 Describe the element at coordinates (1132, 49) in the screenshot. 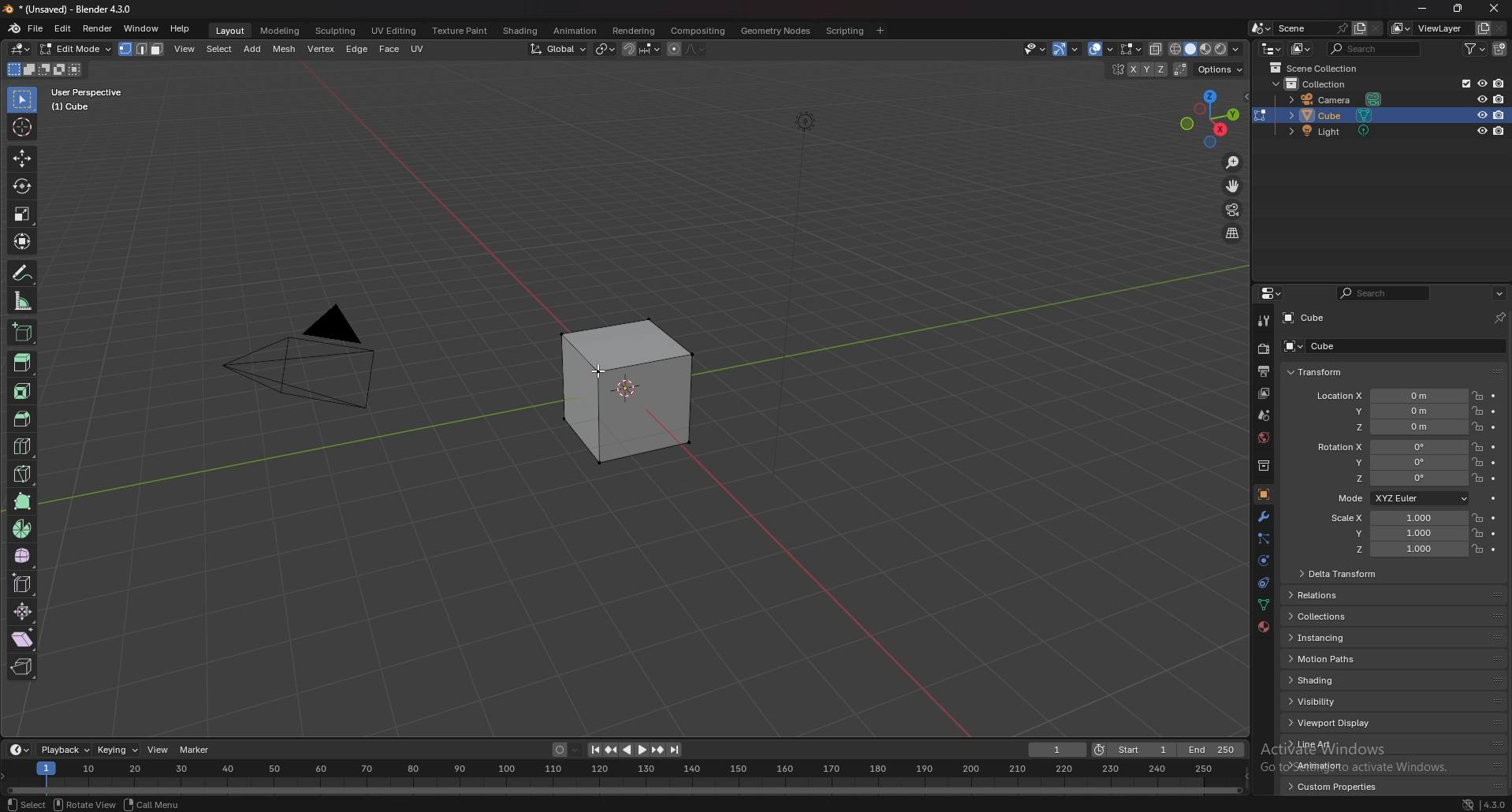

I see `mesh edit mode` at that location.